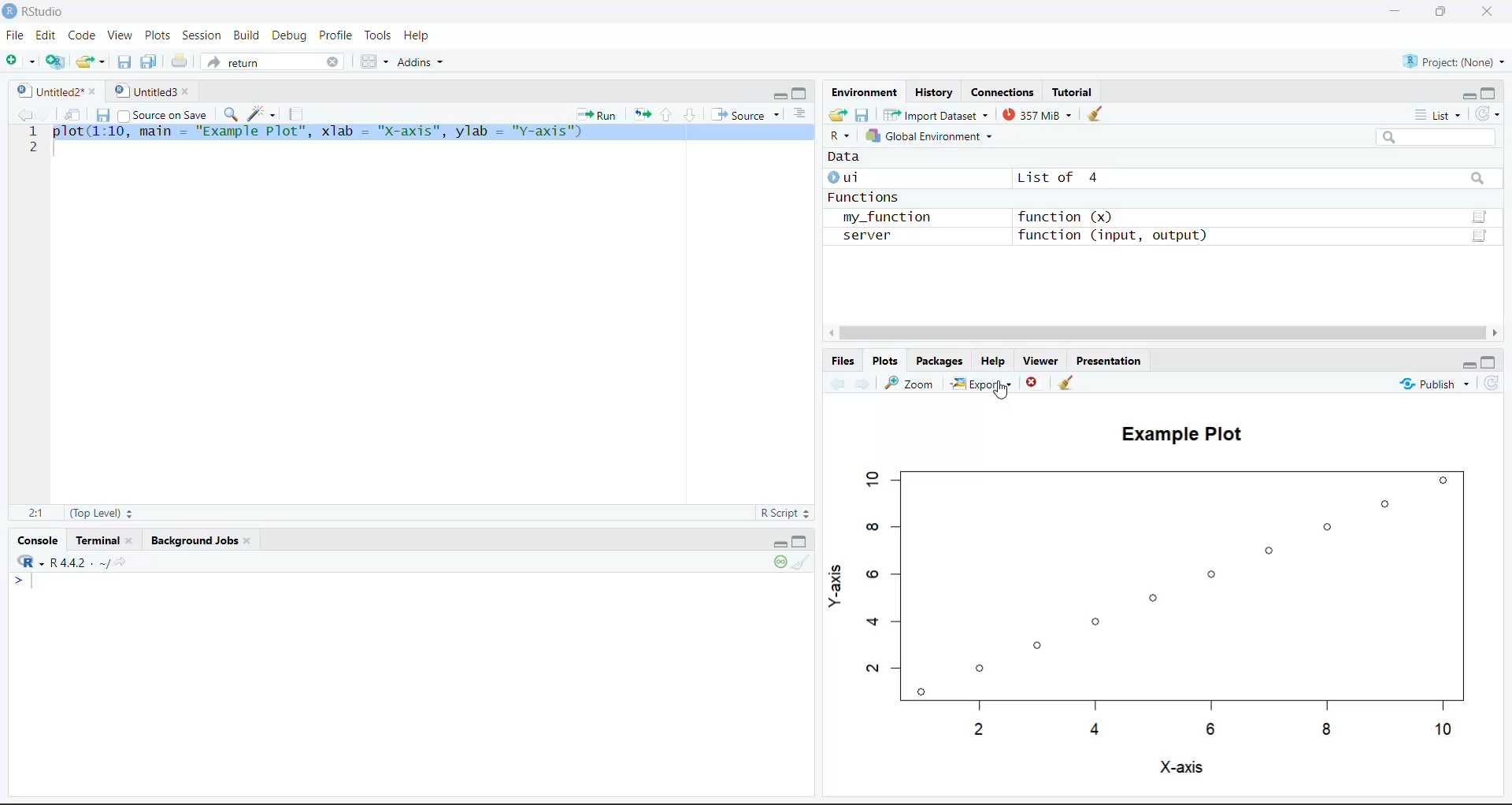  Describe the element at coordinates (780, 95) in the screenshot. I see `Minimize` at that location.